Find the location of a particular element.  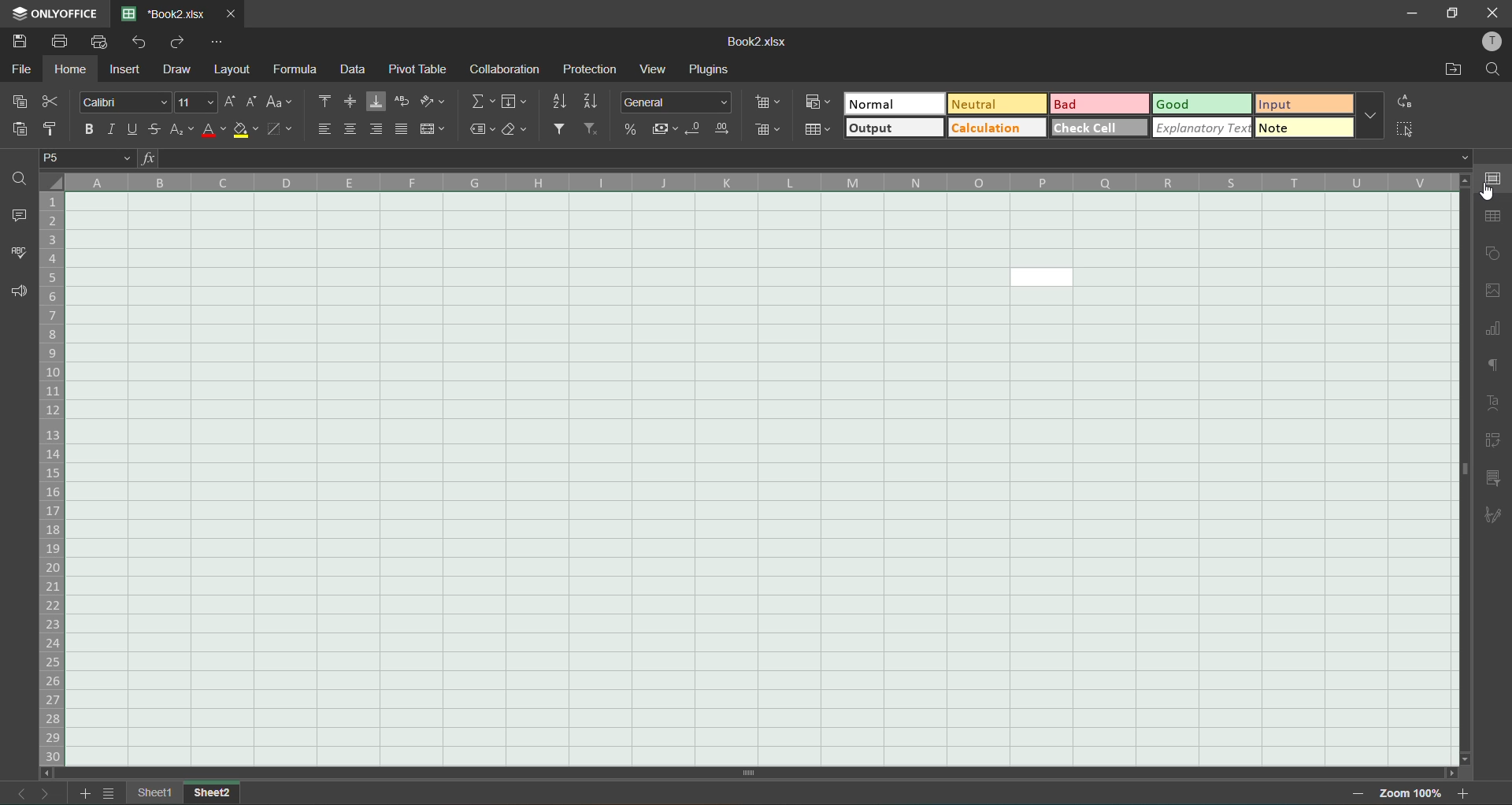

number format is located at coordinates (680, 103).